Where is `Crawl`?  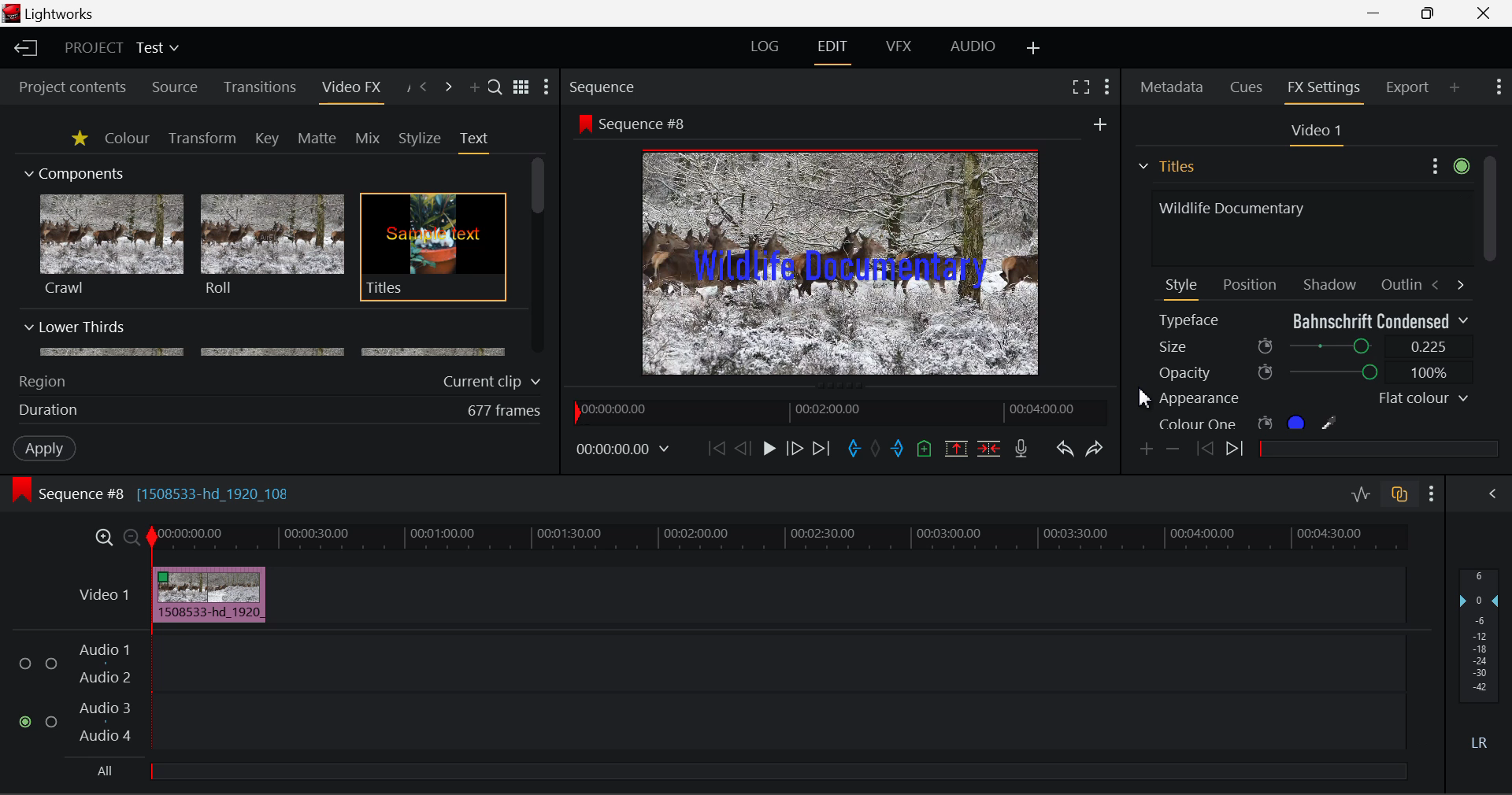
Crawl is located at coordinates (112, 245).